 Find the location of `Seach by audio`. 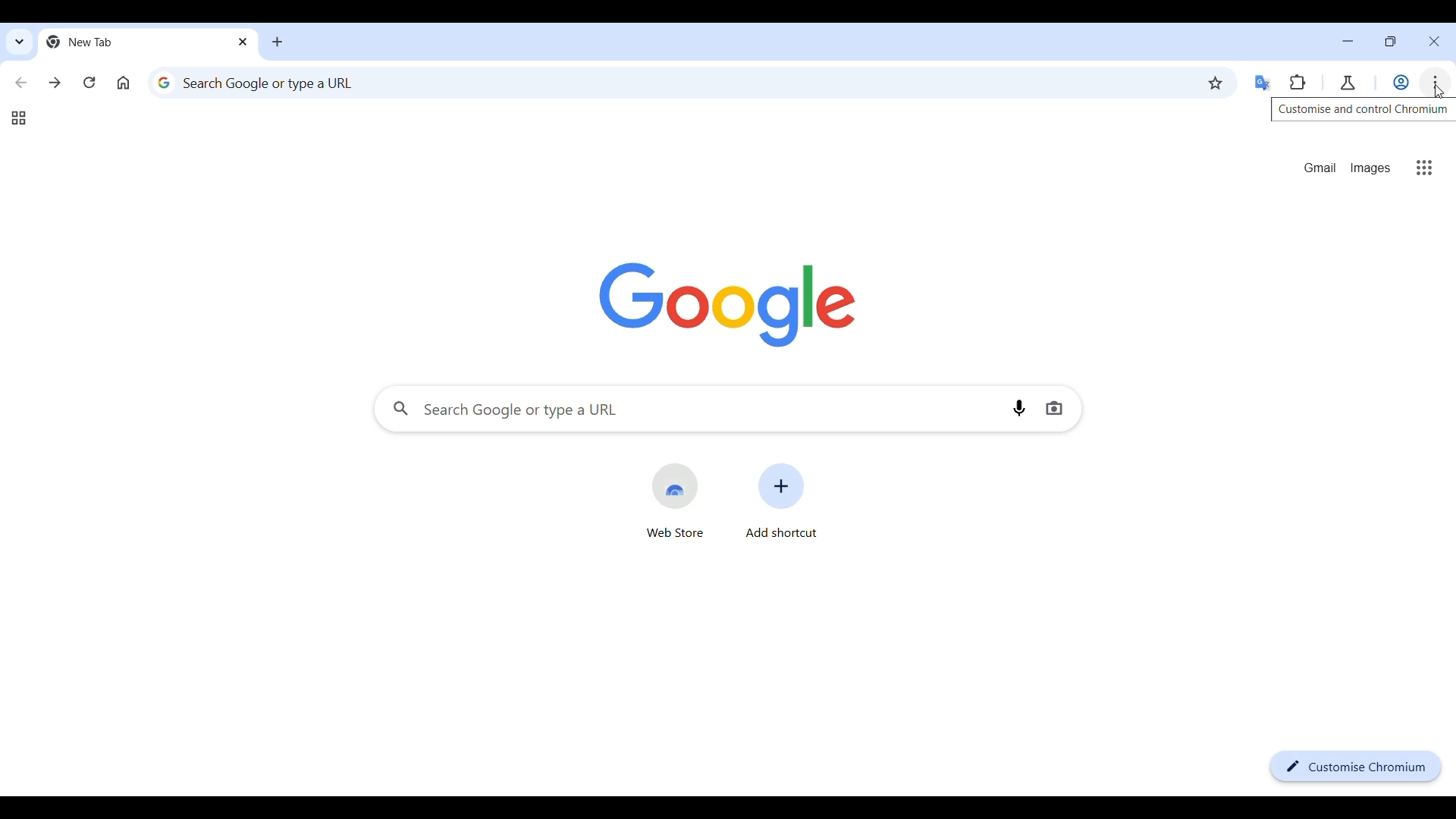

Seach by audio is located at coordinates (1019, 408).